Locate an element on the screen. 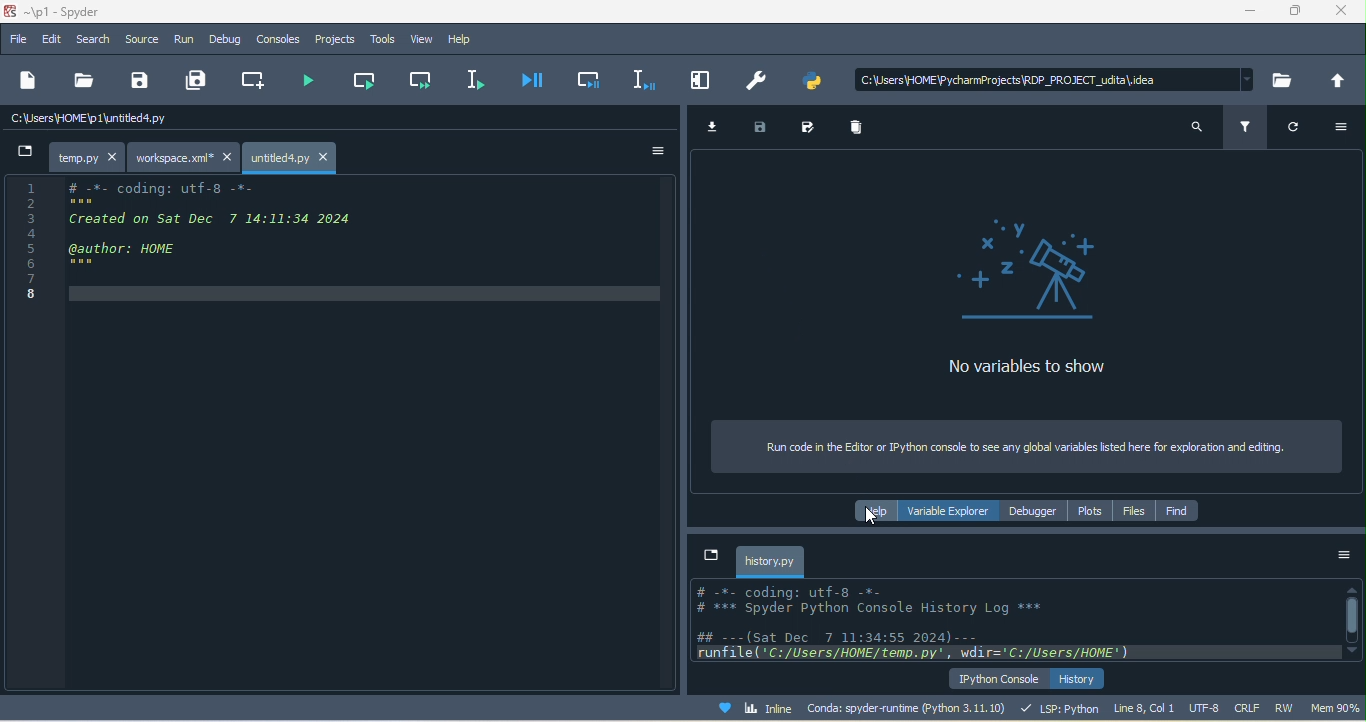  help is located at coordinates (469, 38).